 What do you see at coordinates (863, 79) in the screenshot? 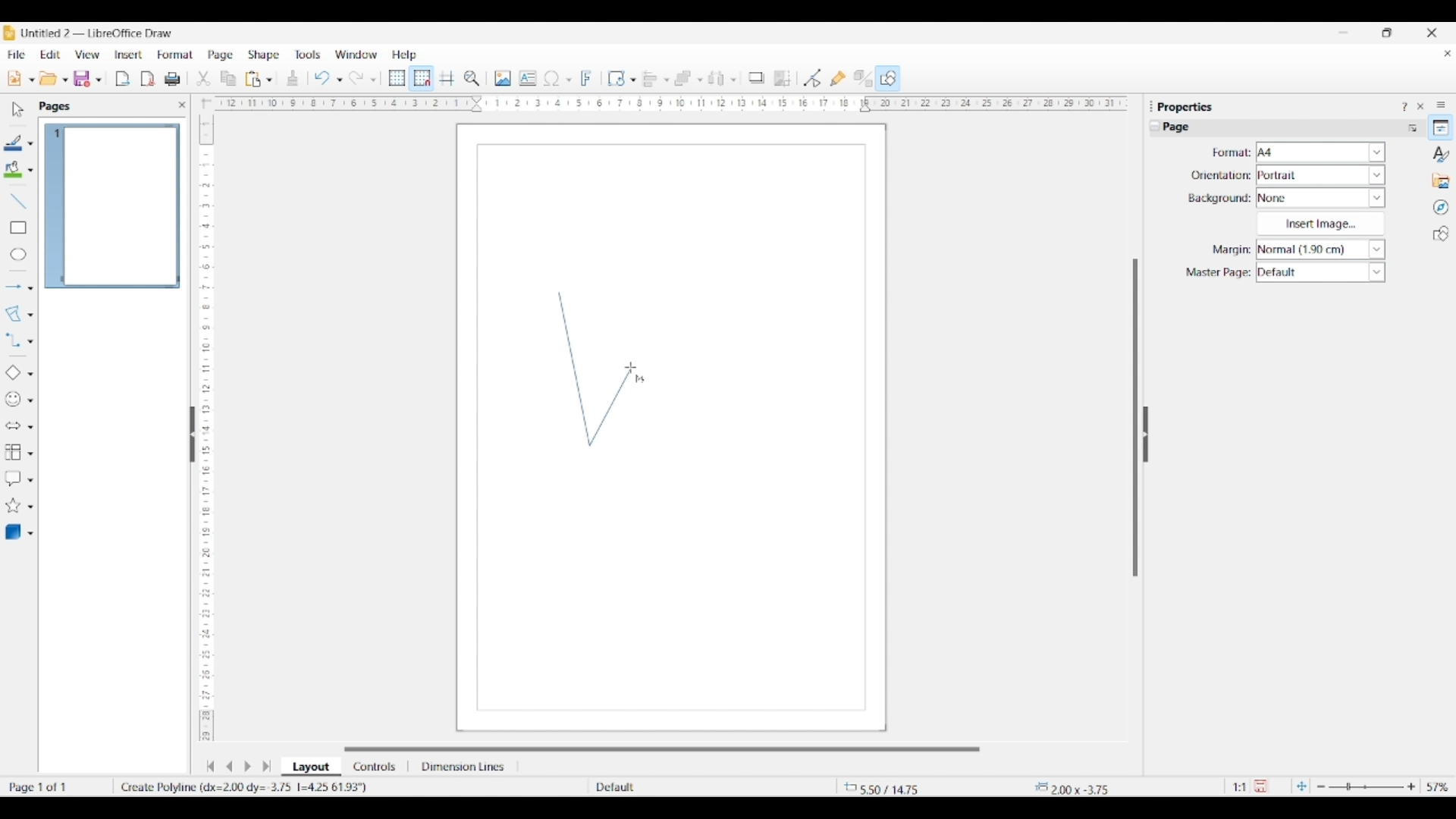
I see `Toggle extrusion` at bounding box center [863, 79].